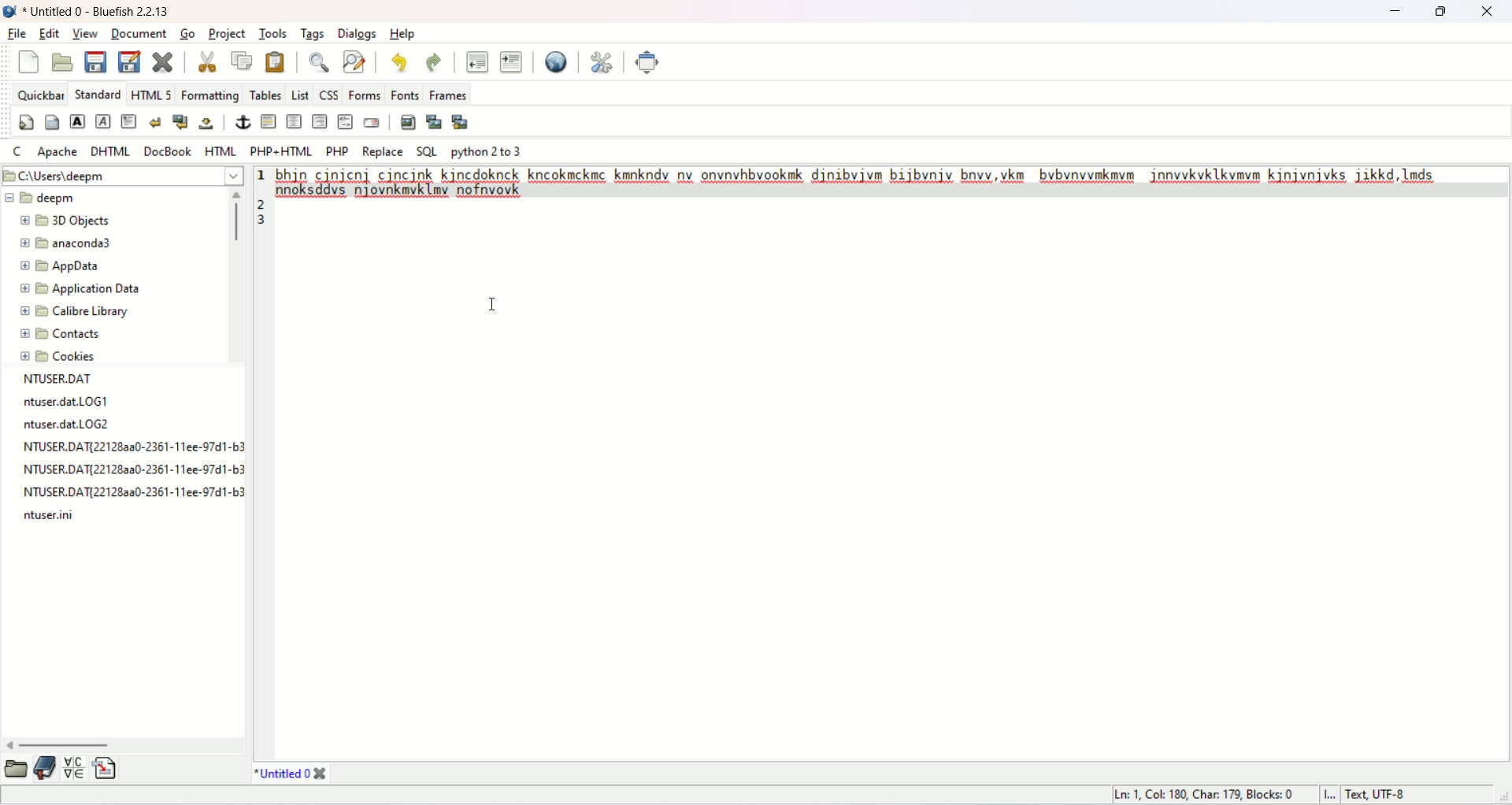 Image resolution: width=1512 pixels, height=805 pixels. Describe the element at coordinates (232, 276) in the screenshot. I see `vertical scroll bar` at that location.